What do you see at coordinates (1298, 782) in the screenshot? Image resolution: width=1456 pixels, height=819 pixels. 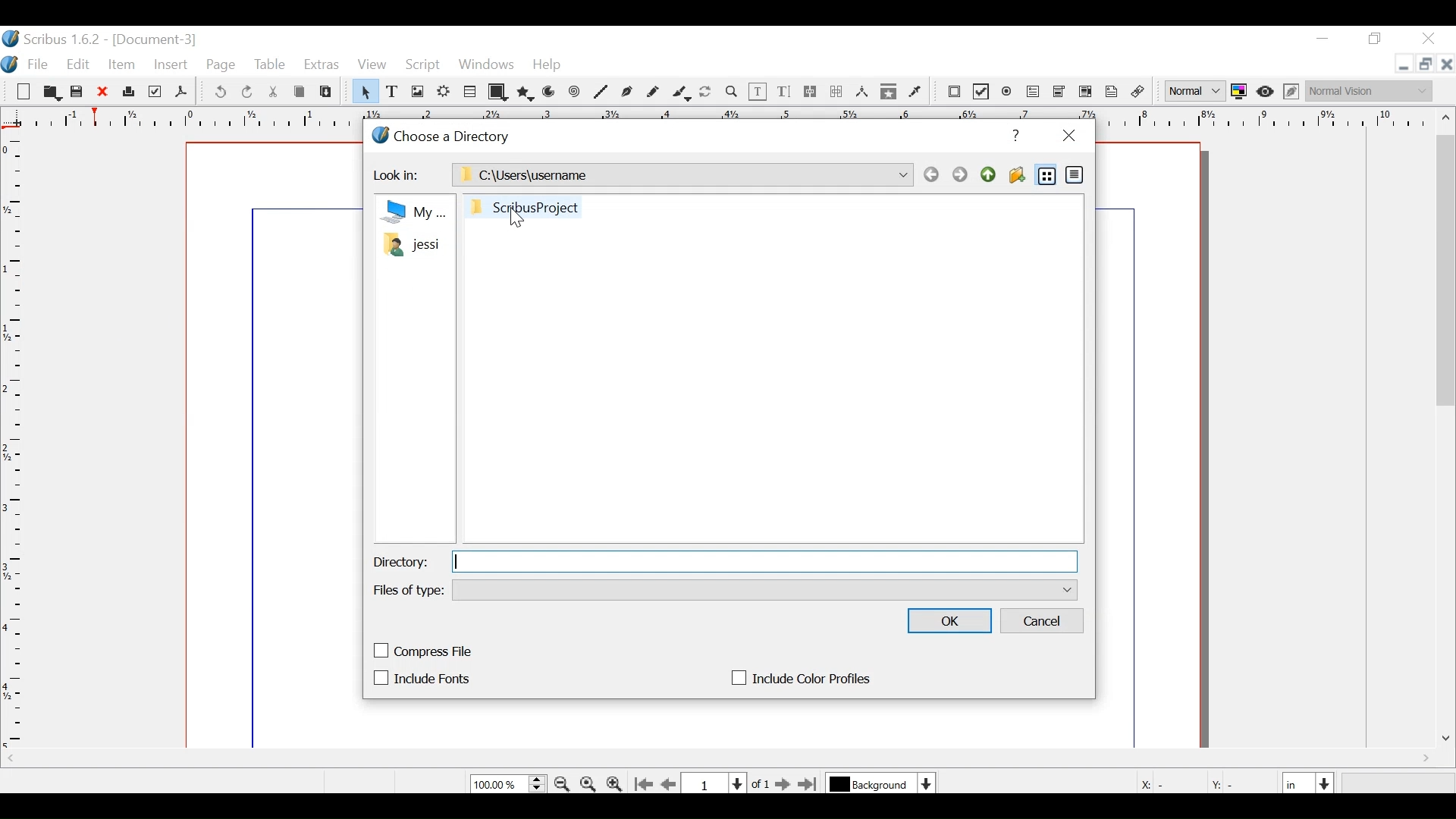 I see `Select the current width` at bounding box center [1298, 782].